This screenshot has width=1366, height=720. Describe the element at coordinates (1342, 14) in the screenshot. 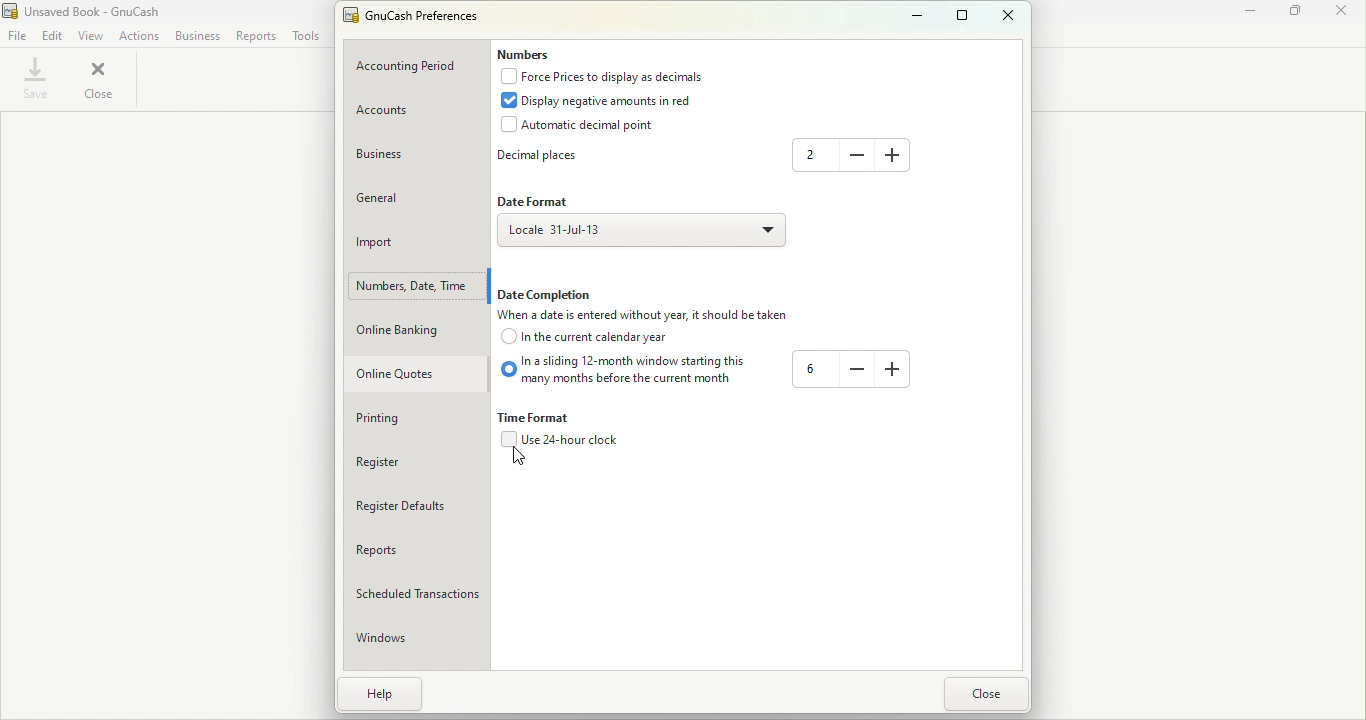

I see `close` at that location.